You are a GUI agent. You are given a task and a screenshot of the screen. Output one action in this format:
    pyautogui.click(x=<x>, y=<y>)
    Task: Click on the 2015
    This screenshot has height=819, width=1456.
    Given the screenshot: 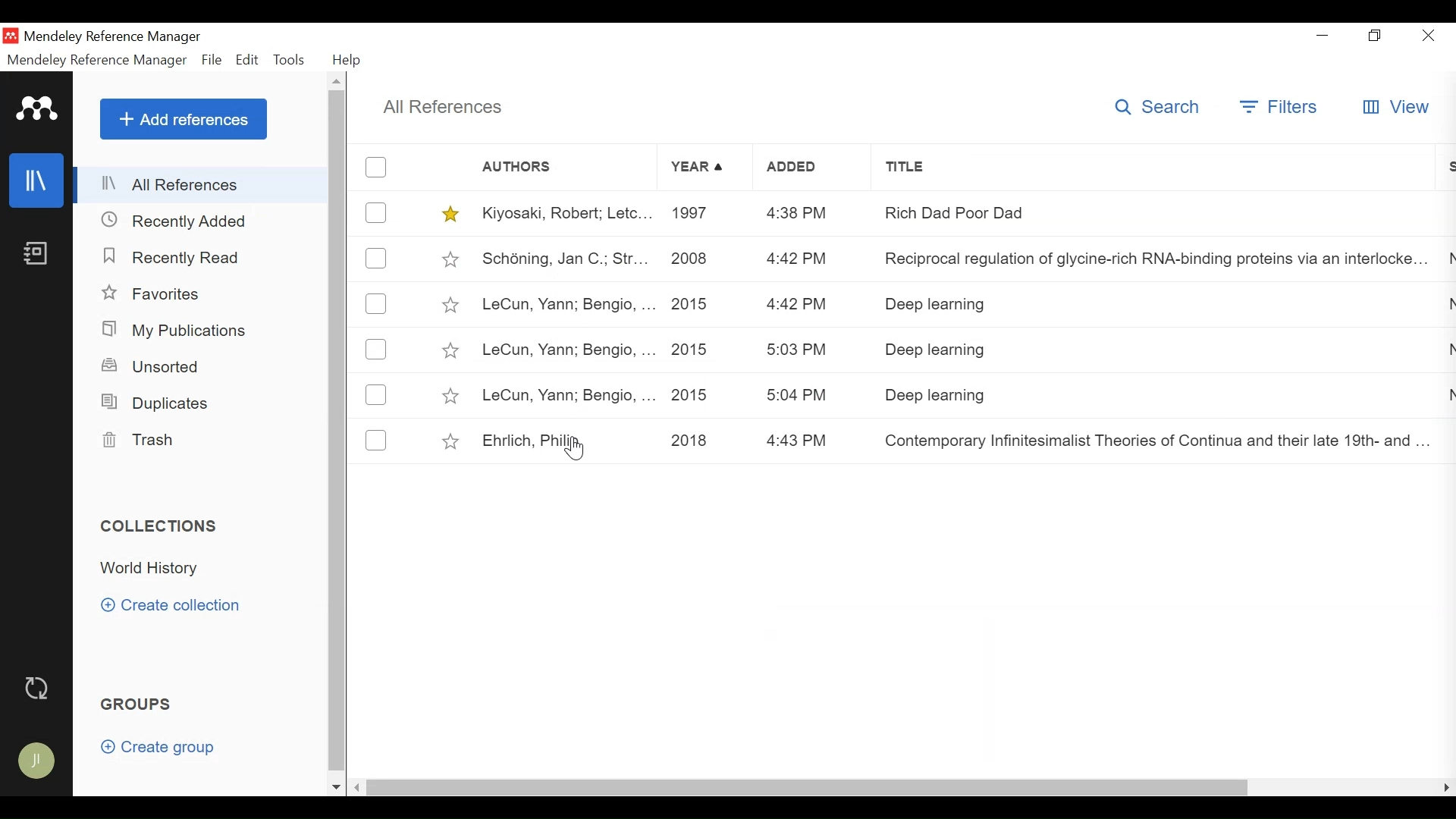 What is the action you would take?
    pyautogui.click(x=693, y=350)
    